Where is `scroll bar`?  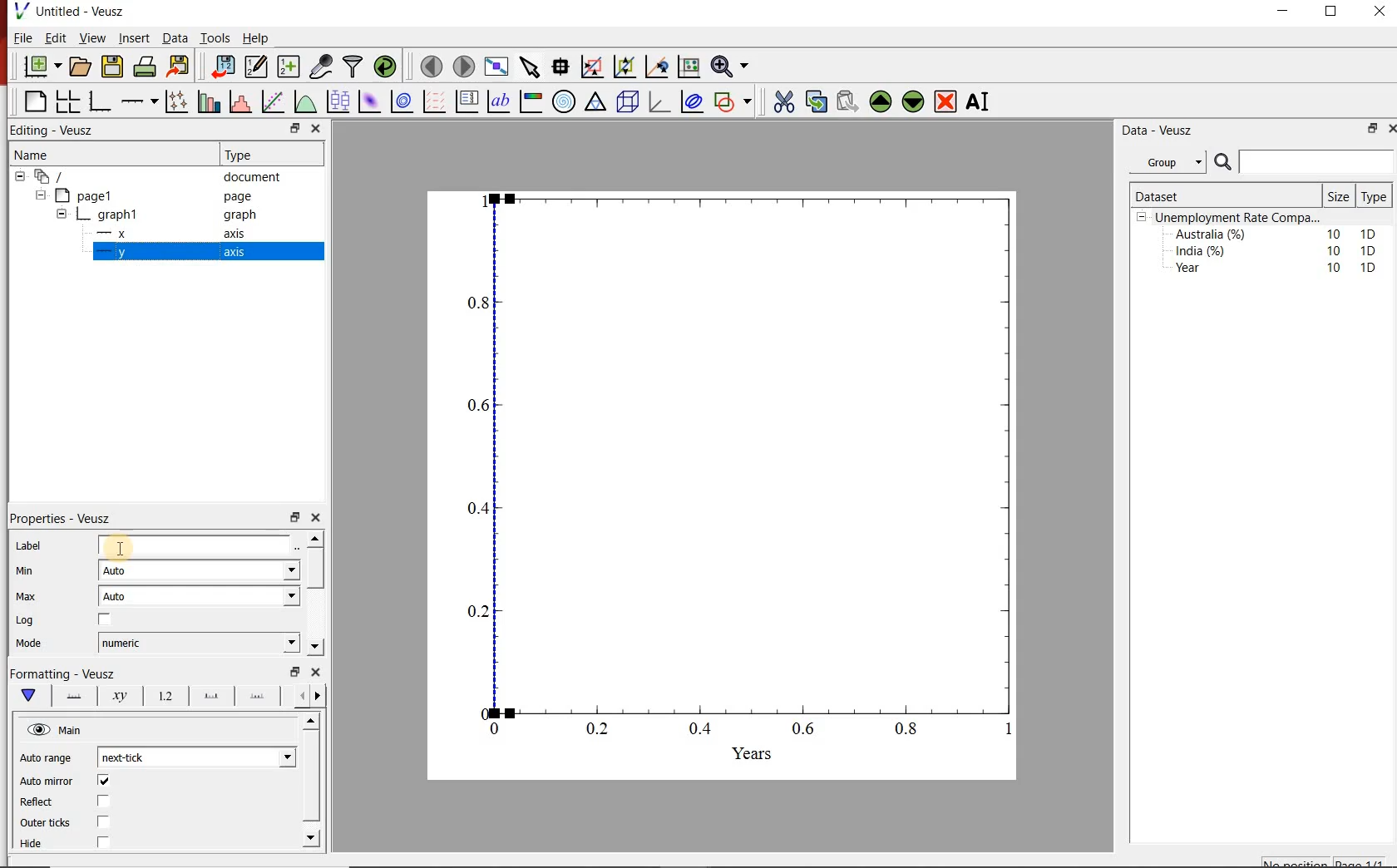 scroll bar is located at coordinates (314, 569).